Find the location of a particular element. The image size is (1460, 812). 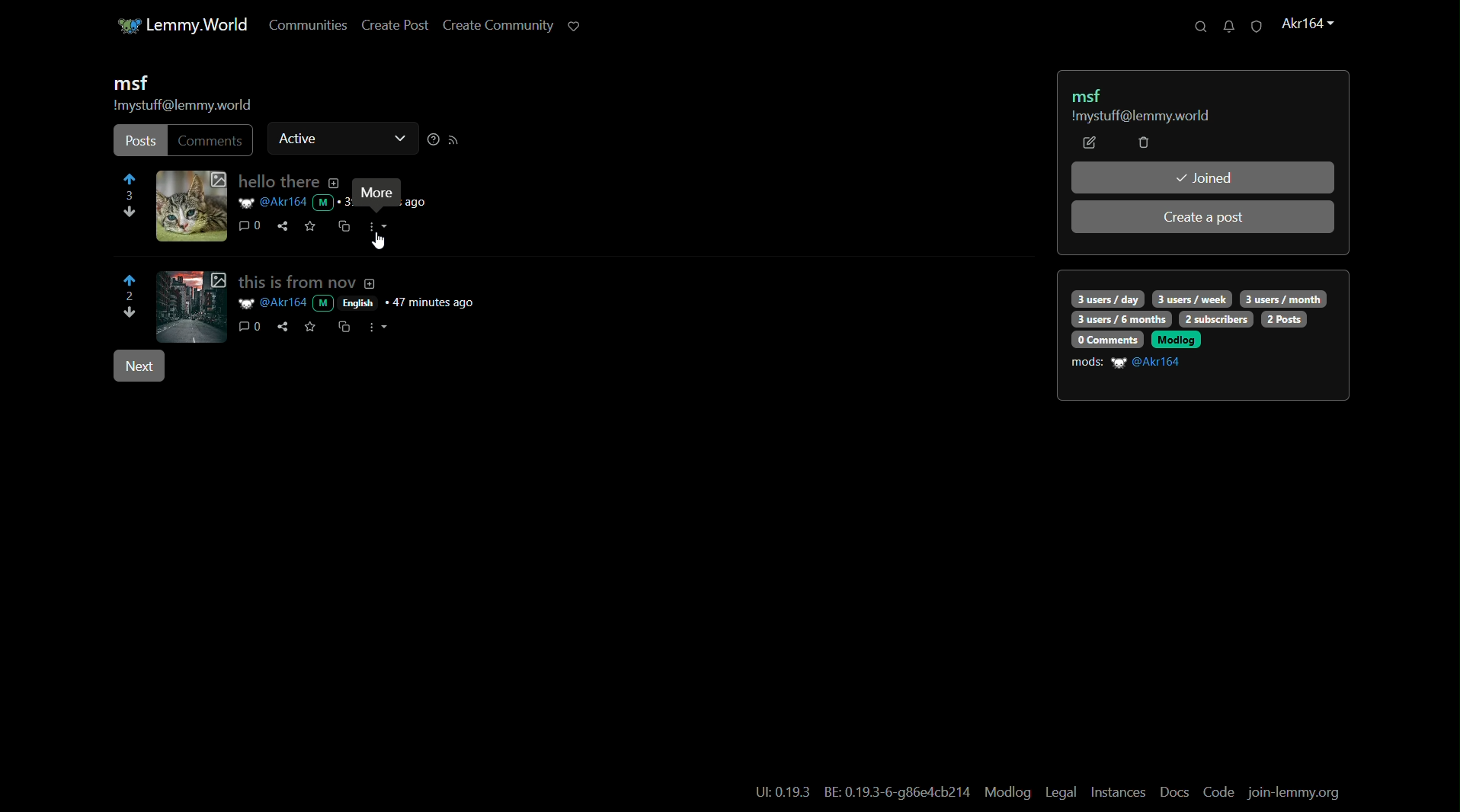

community server is located at coordinates (182, 107).